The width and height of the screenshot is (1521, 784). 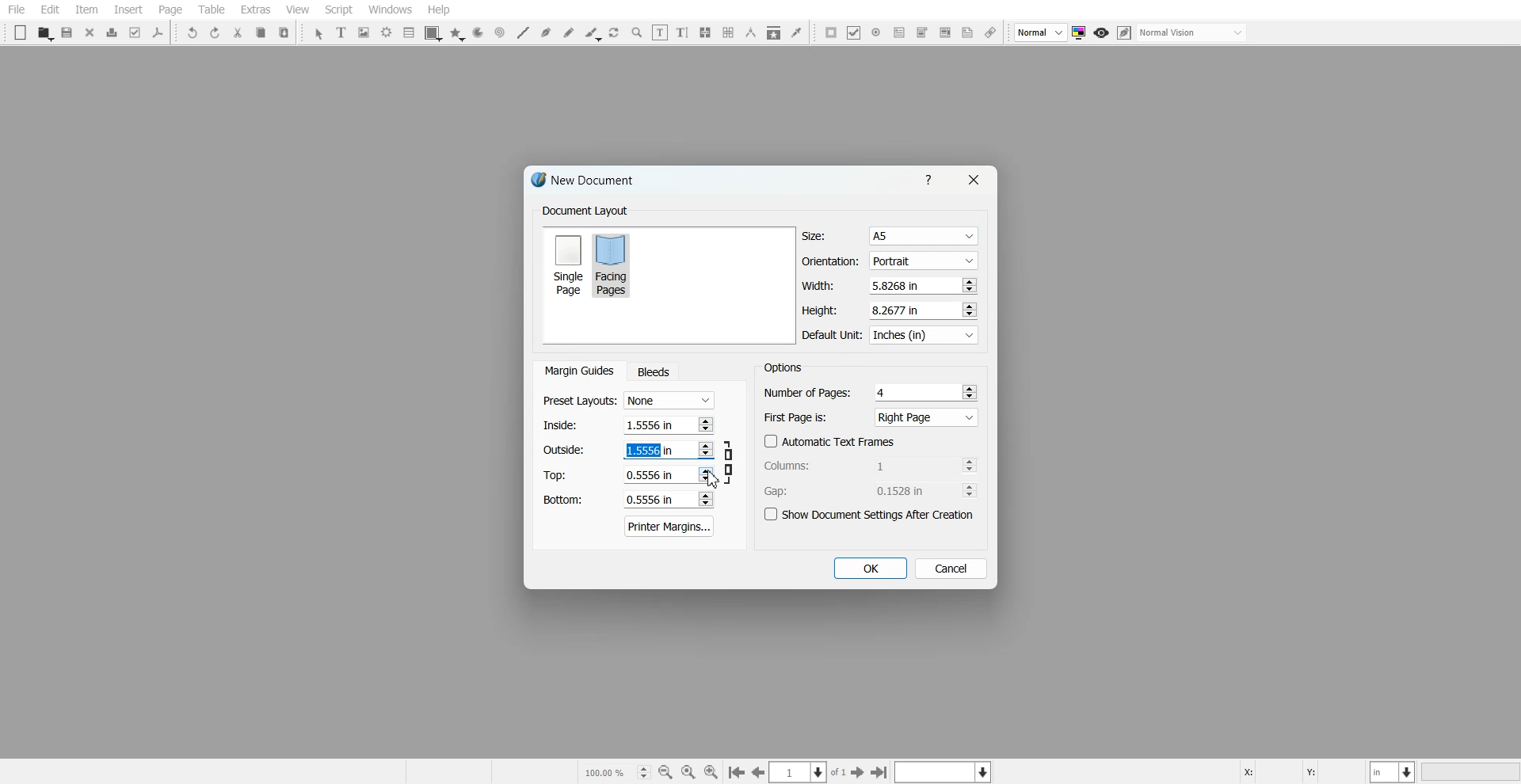 I want to click on Render Frame, so click(x=387, y=32).